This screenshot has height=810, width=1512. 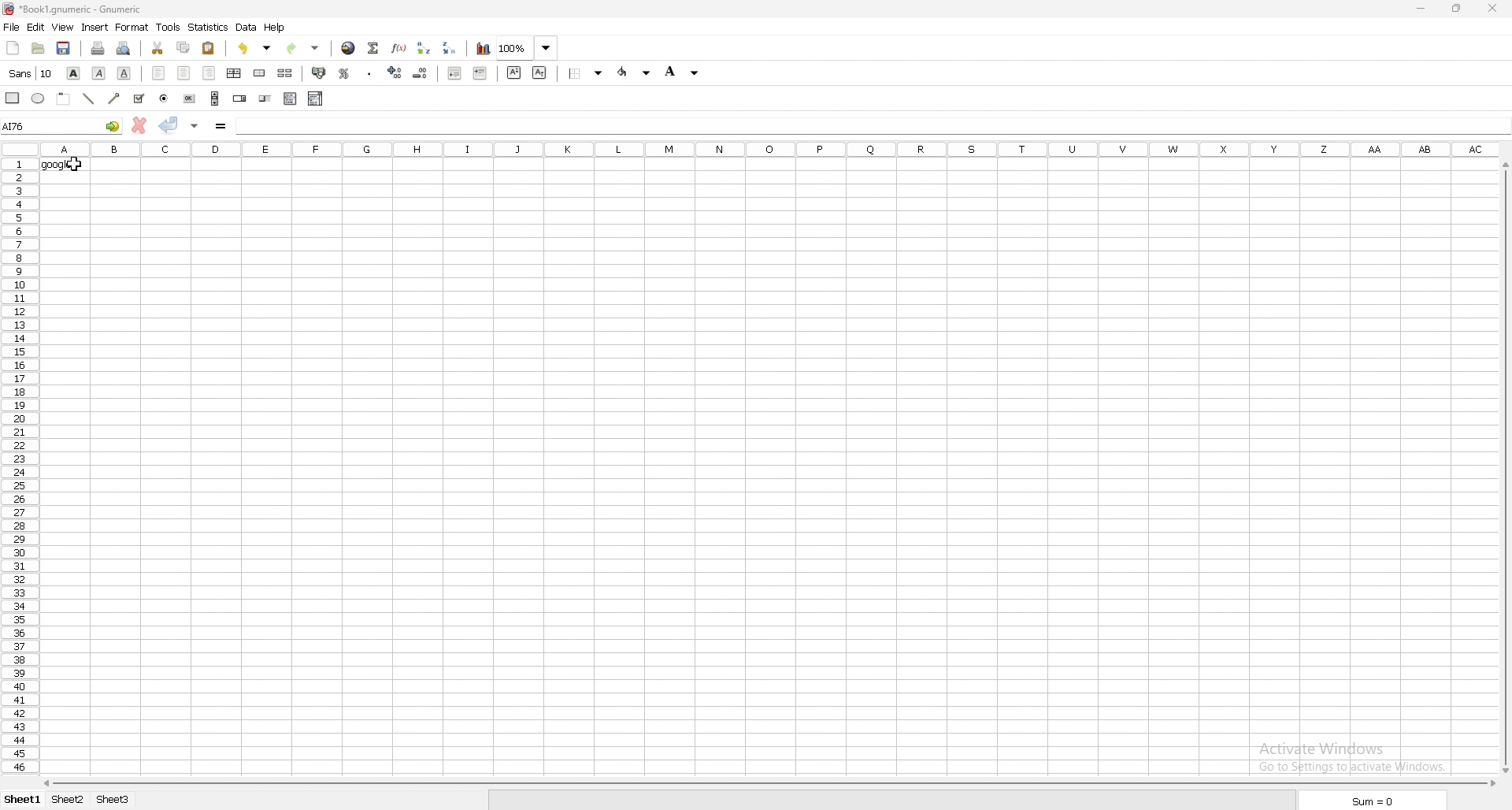 What do you see at coordinates (125, 48) in the screenshot?
I see `print preview` at bounding box center [125, 48].